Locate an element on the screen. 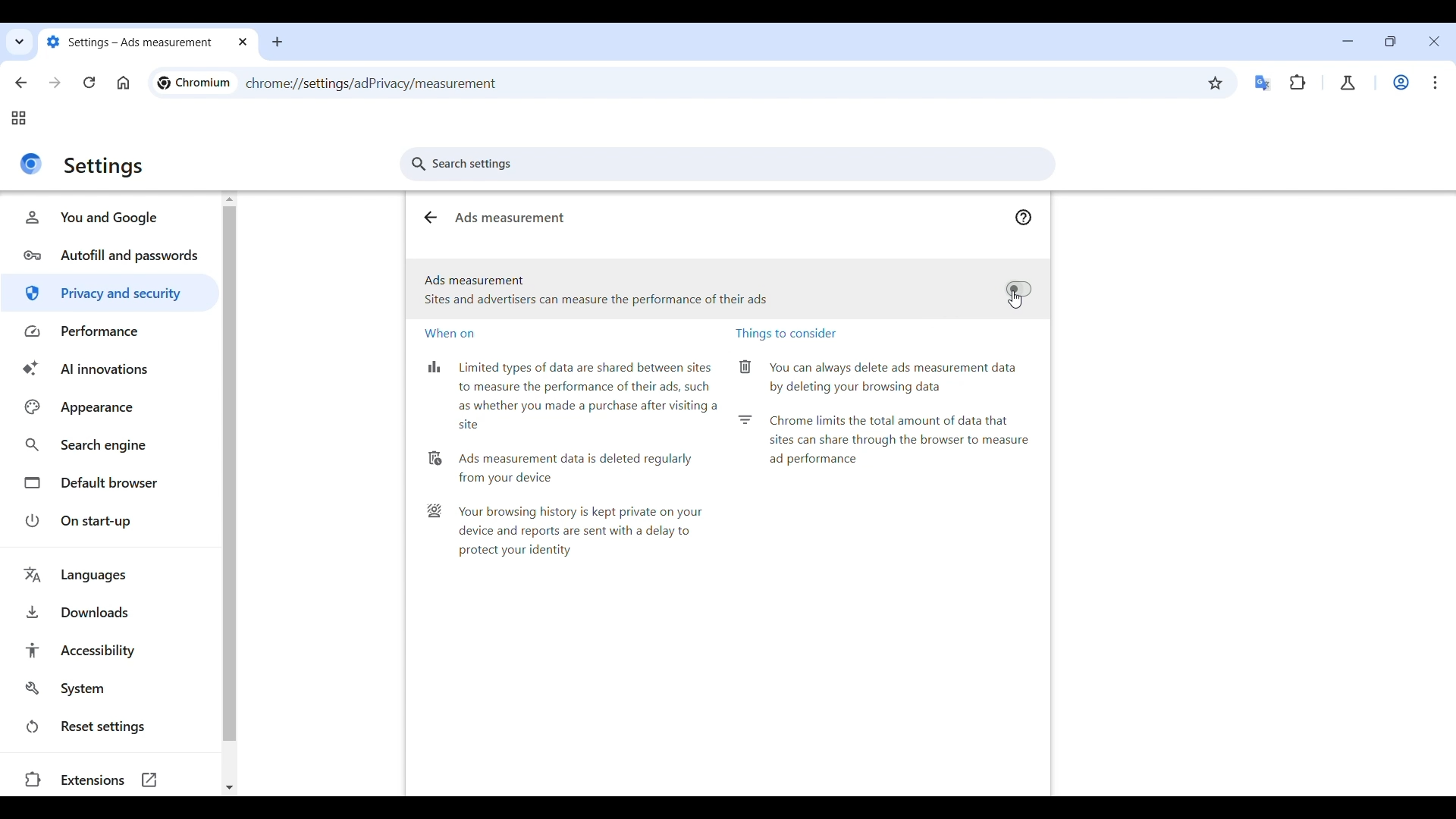  When on is located at coordinates (457, 335).